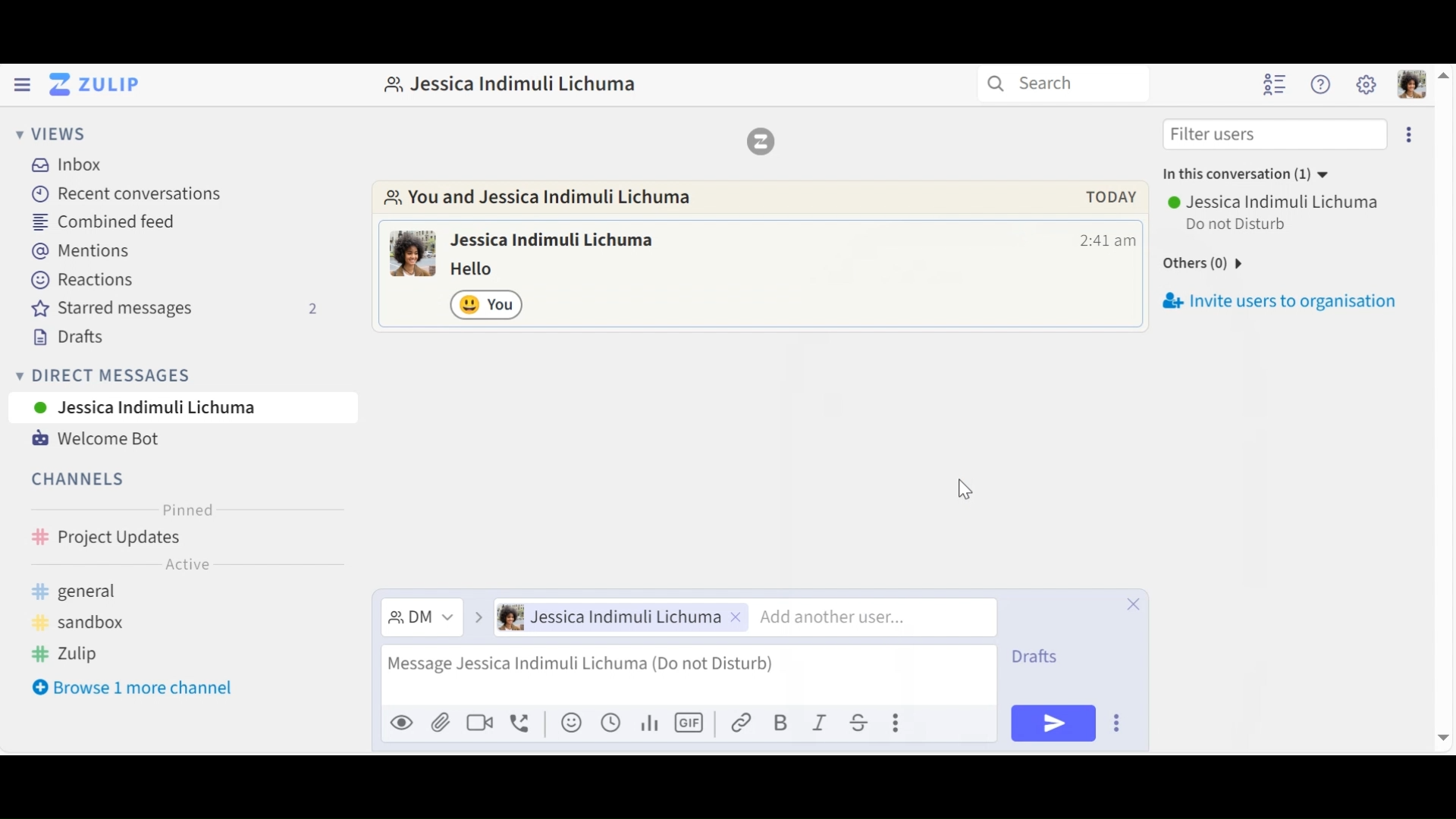 The height and width of the screenshot is (819, 1456). What do you see at coordinates (479, 725) in the screenshot?
I see `Add a video call` at bounding box center [479, 725].